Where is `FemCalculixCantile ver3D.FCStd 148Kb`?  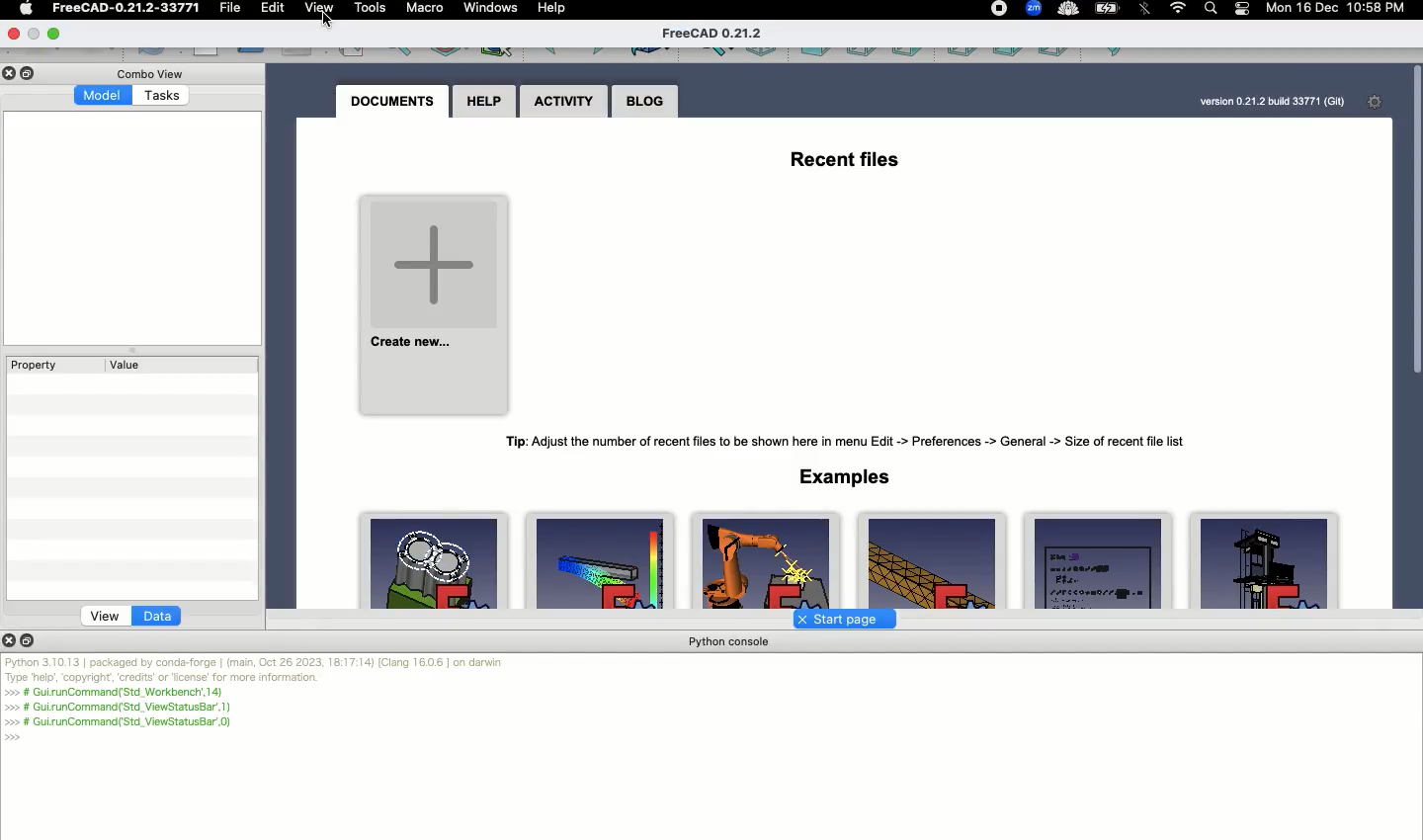
FemCalculixCantile ver3D.FCStd 148Kb is located at coordinates (600, 559).